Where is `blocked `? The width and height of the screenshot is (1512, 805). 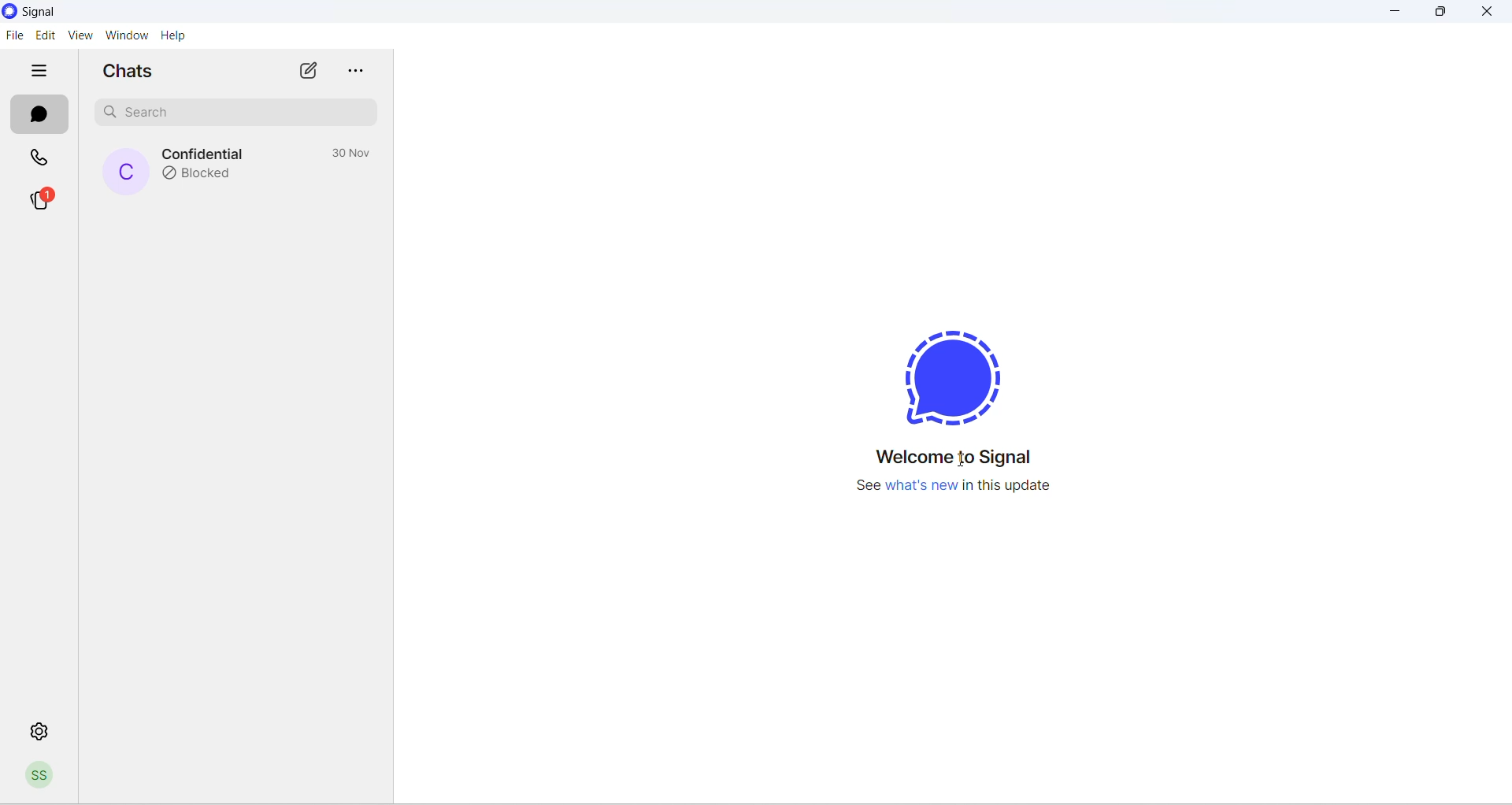
blocked  is located at coordinates (204, 176).